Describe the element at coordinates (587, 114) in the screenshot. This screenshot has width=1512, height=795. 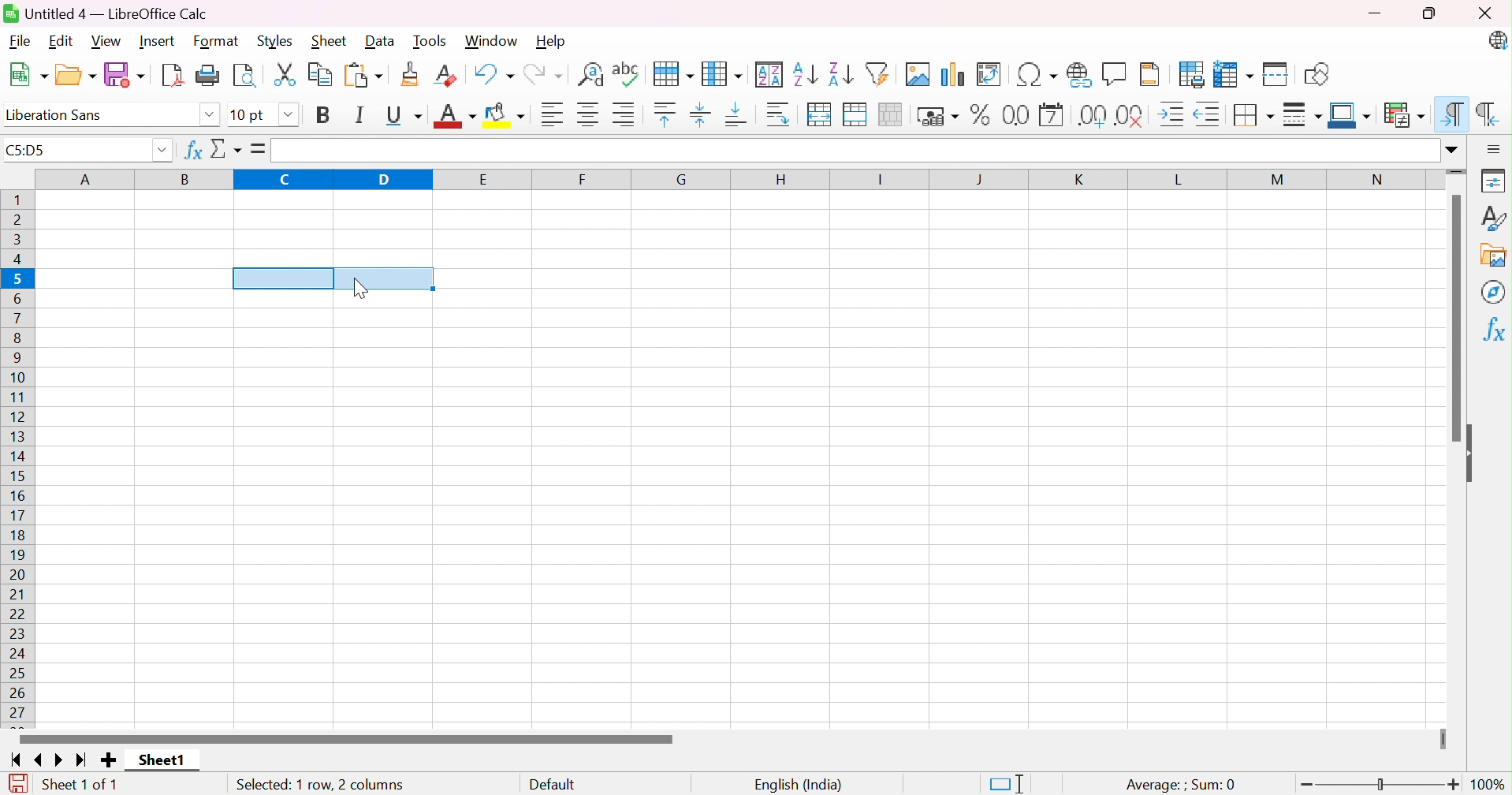
I see `Align Center` at that location.